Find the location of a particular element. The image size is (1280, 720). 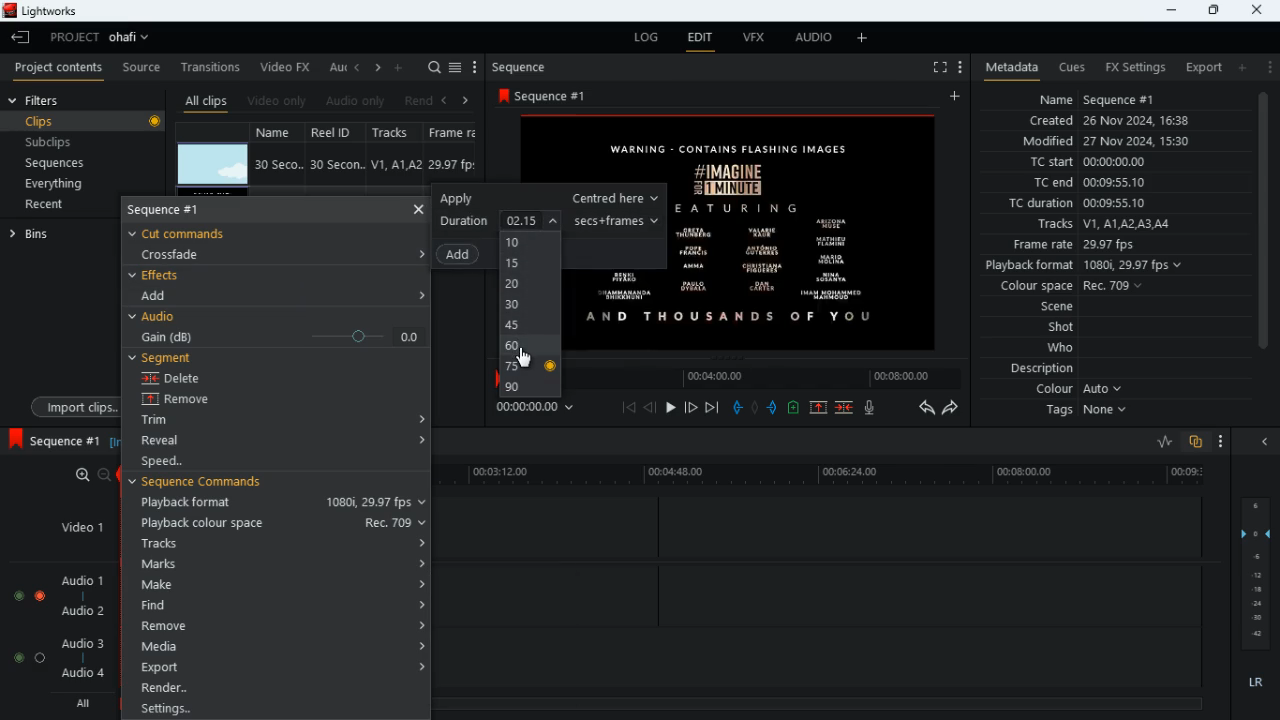

more is located at coordinates (865, 37).